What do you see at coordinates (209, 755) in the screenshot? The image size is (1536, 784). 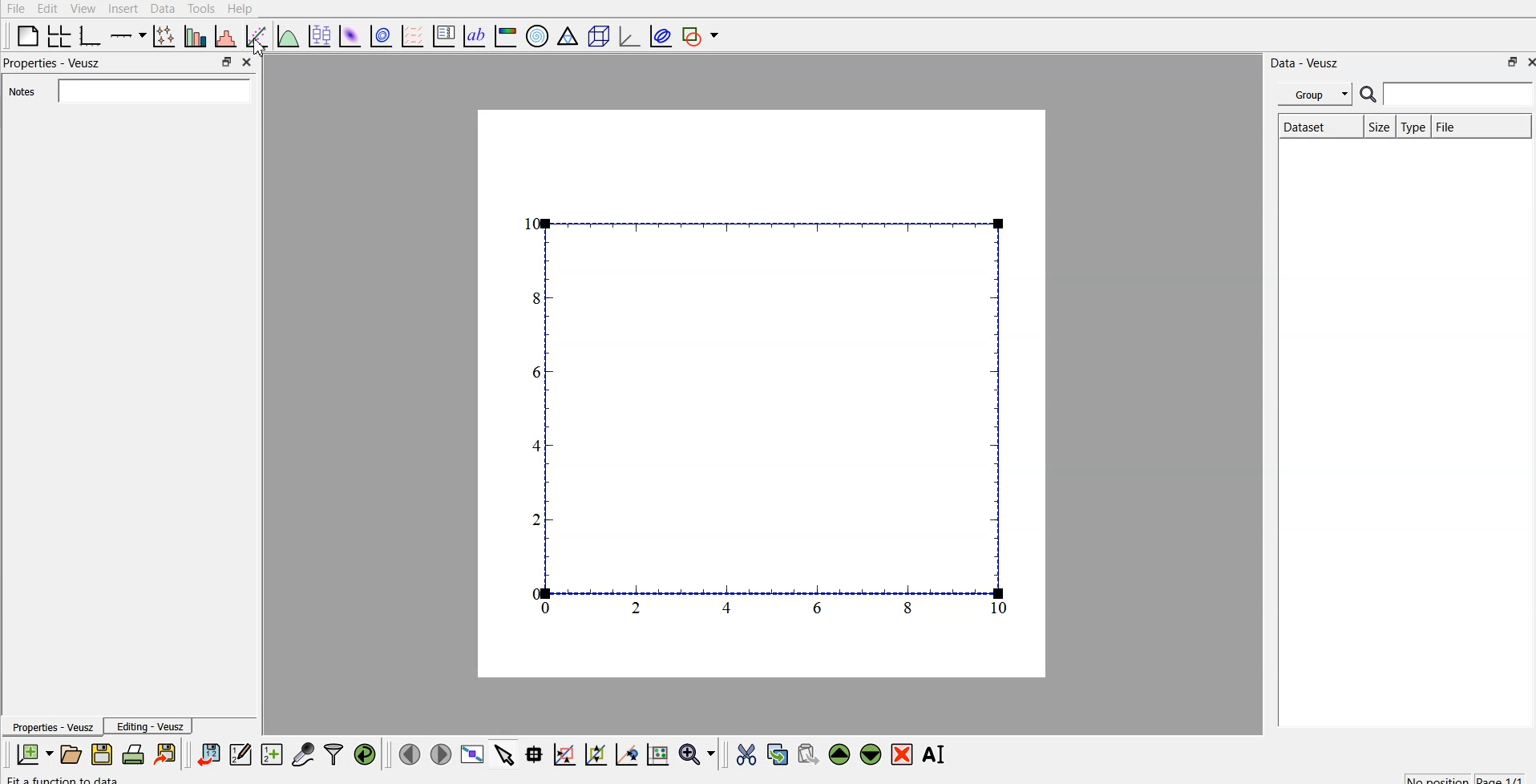 I see `import data into veusz` at bounding box center [209, 755].